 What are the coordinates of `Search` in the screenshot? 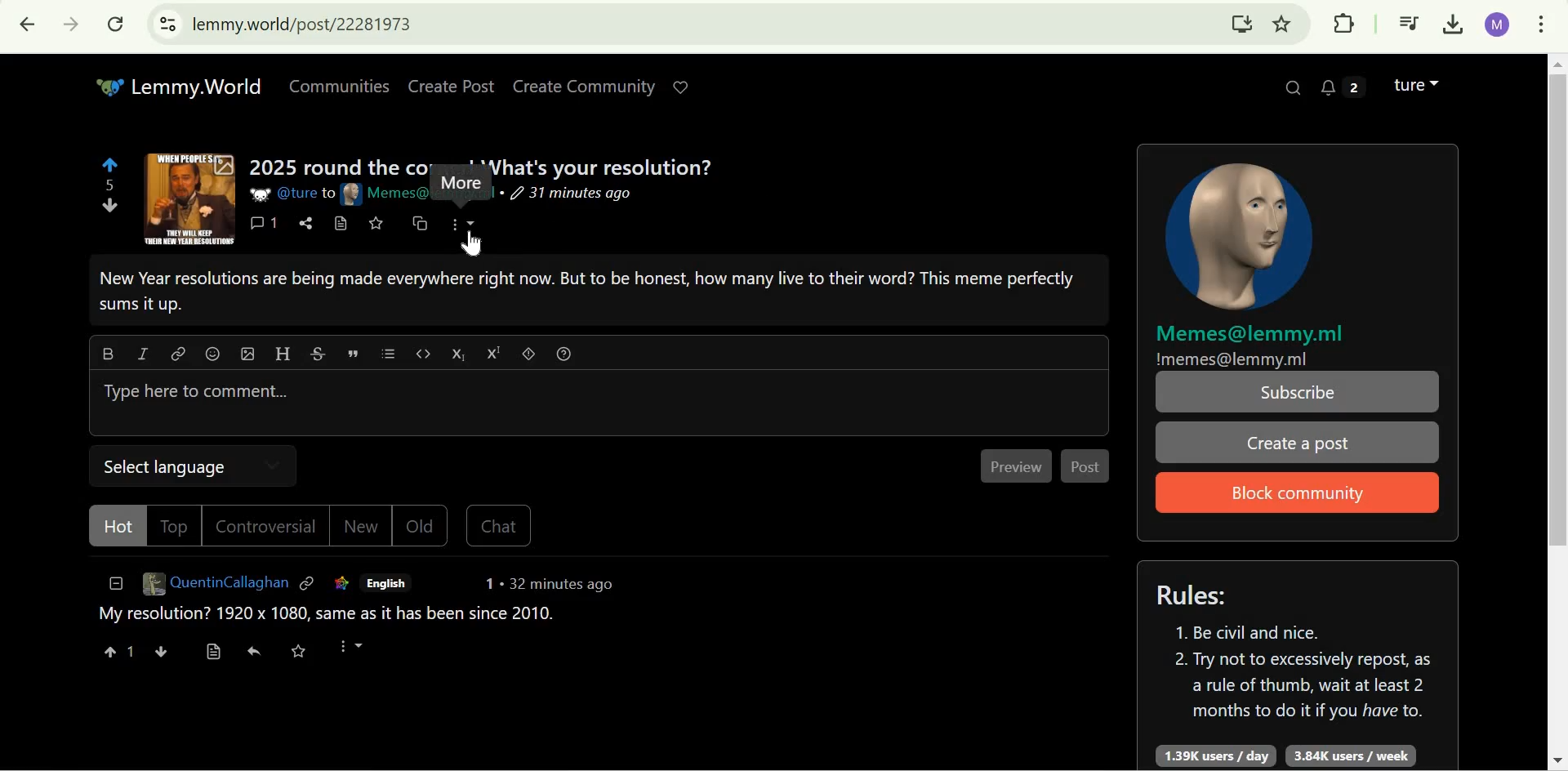 It's located at (1294, 86).